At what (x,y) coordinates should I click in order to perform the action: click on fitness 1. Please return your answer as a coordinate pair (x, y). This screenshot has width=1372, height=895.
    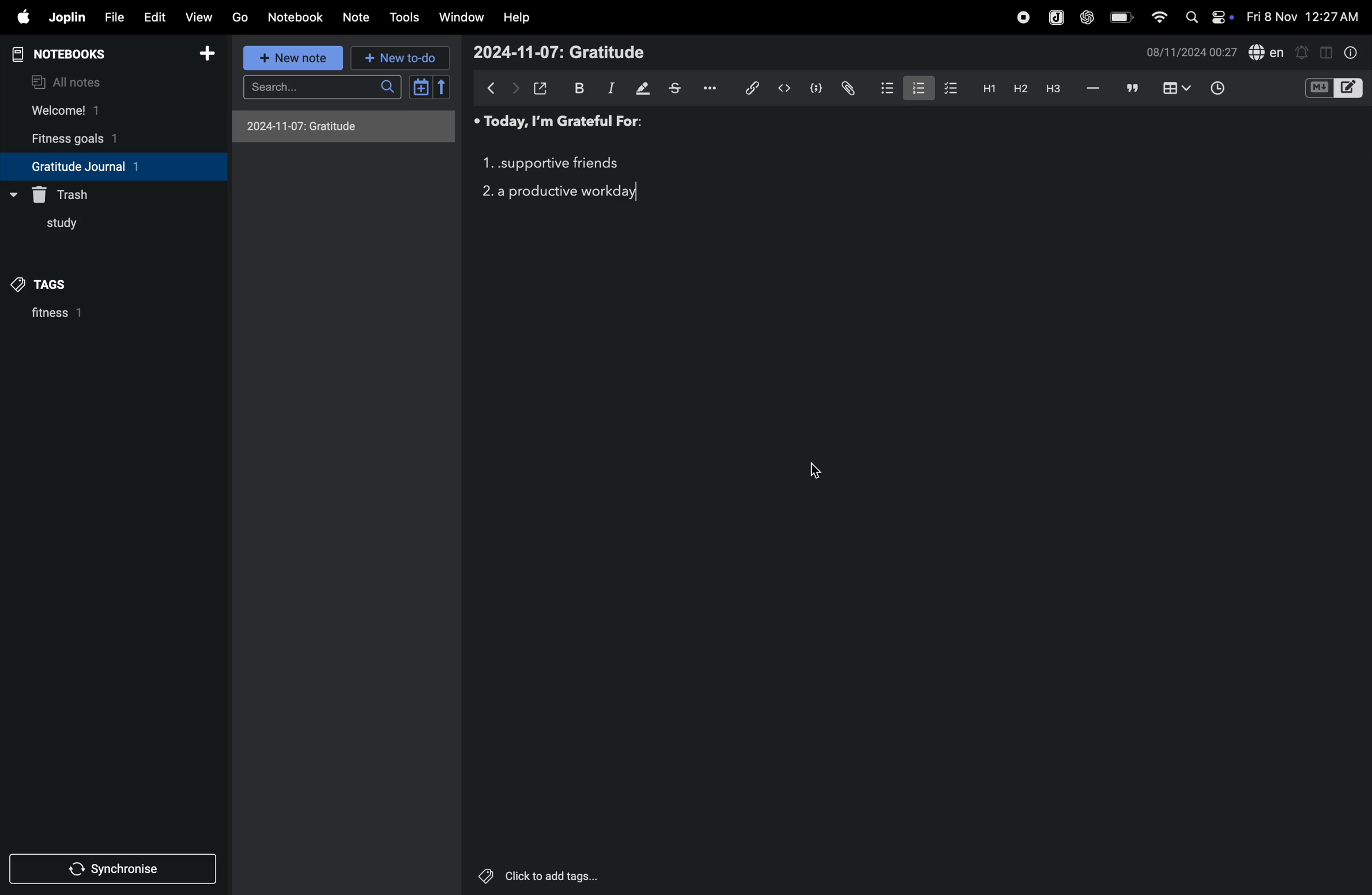
    Looking at the image, I should click on (85, 317).